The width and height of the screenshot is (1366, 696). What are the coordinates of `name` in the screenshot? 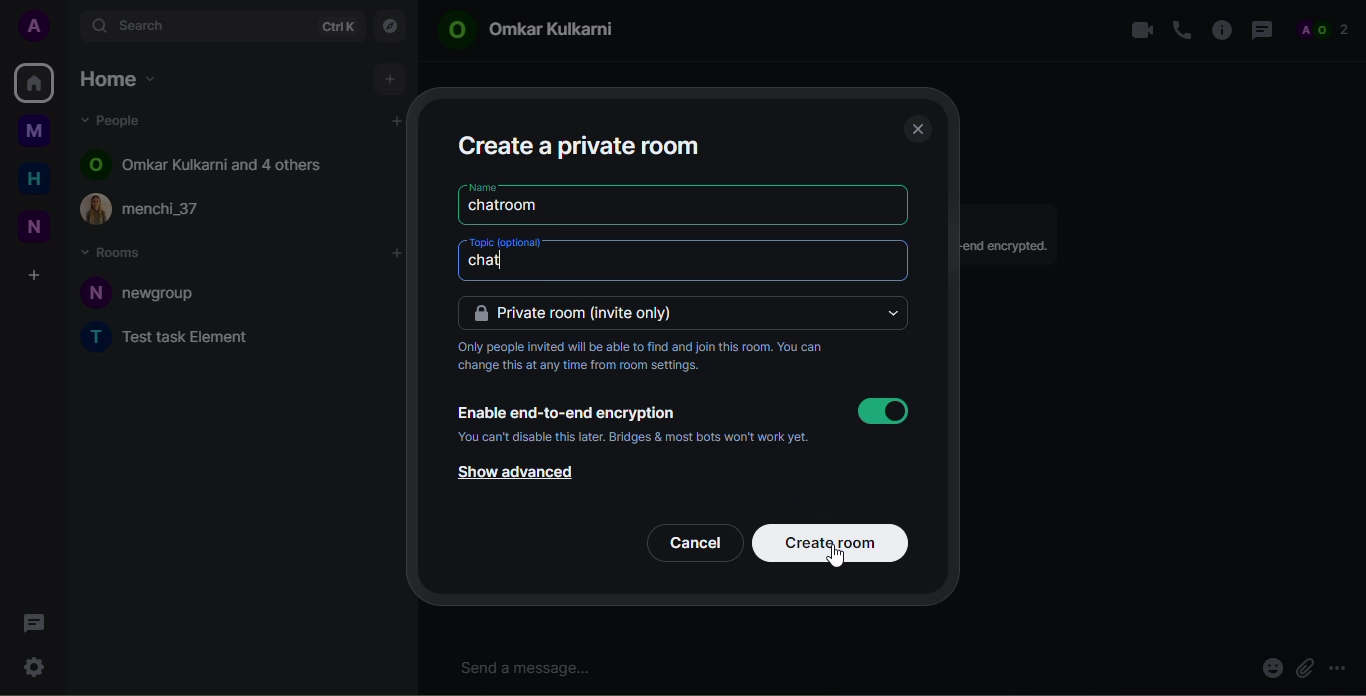 It's located at (481, 187).